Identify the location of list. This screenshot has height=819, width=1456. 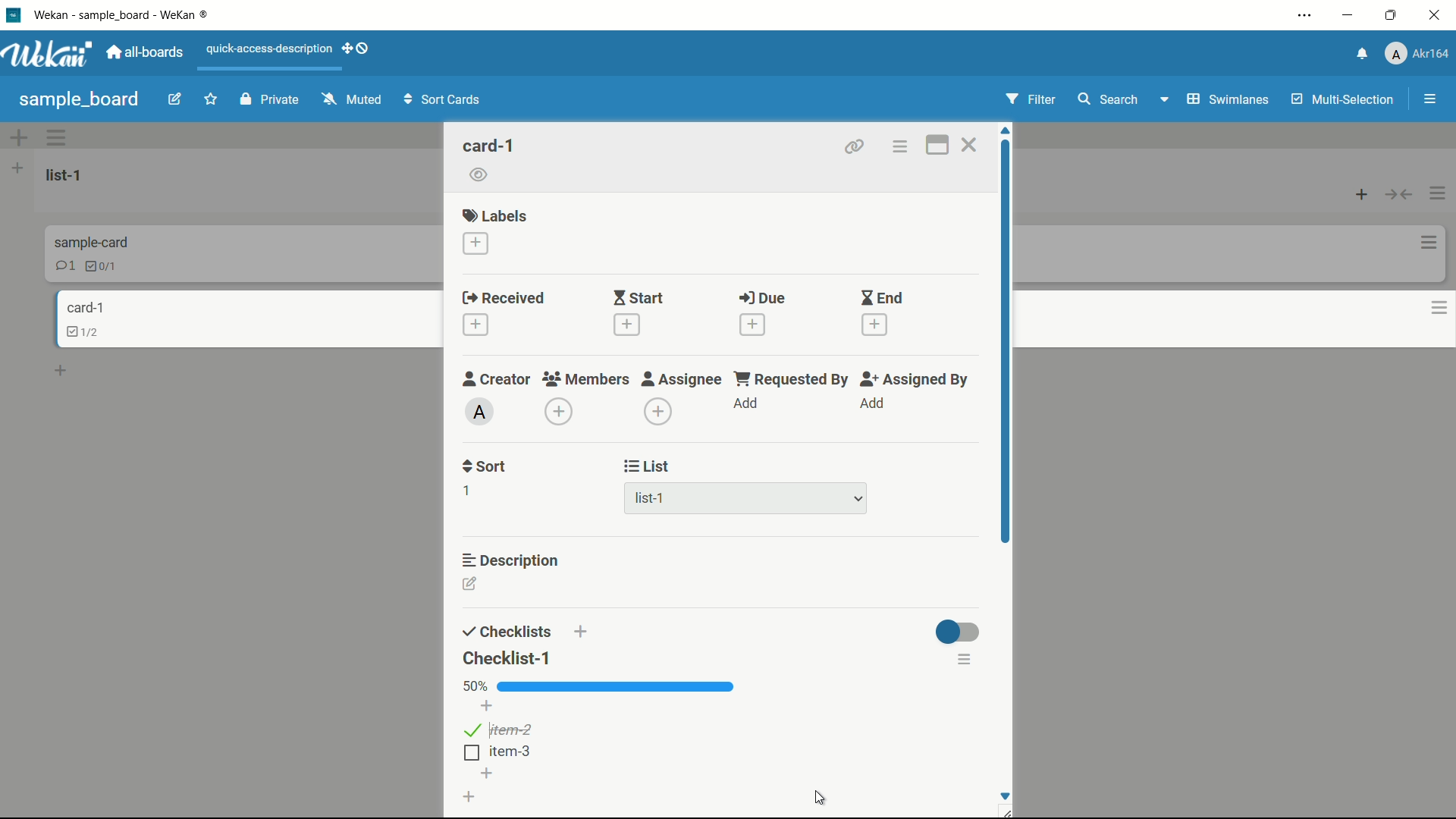
(648, 466).